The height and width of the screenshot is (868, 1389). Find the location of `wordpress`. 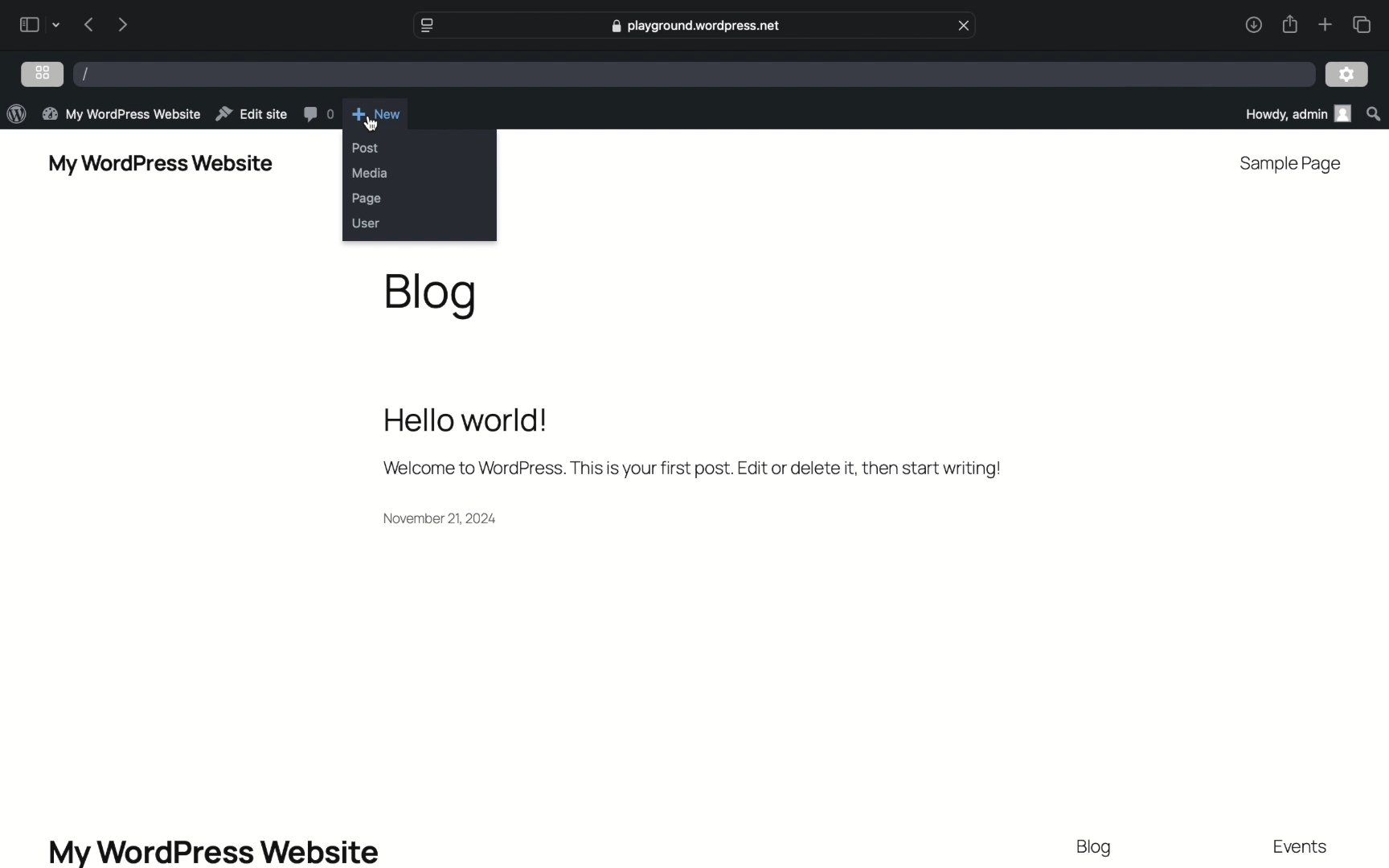

wordpress is located at coordinates (16, 113).